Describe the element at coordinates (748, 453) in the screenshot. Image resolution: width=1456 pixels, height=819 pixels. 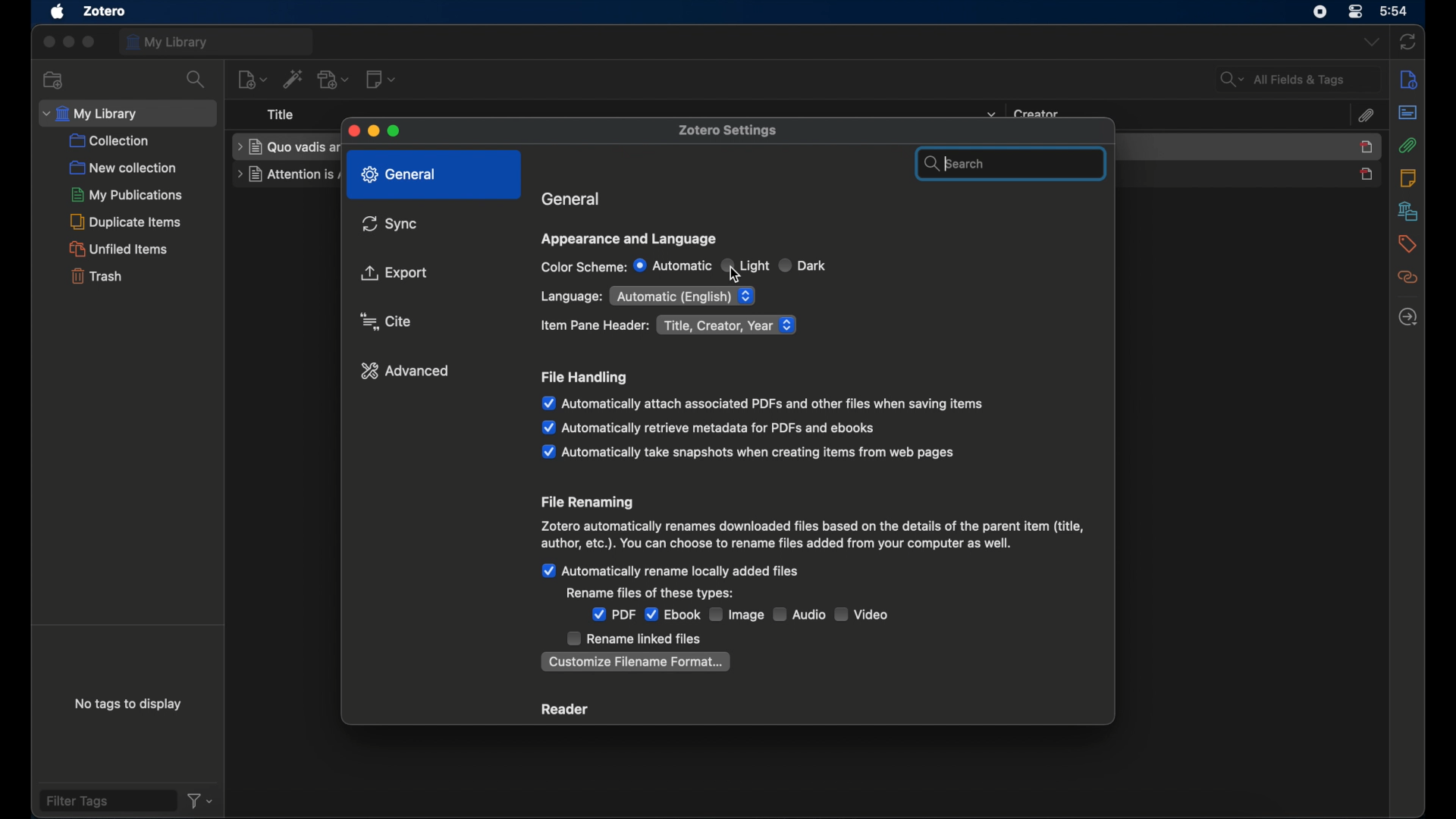
I see `automatically take snapshots when items from web pages` at that location.